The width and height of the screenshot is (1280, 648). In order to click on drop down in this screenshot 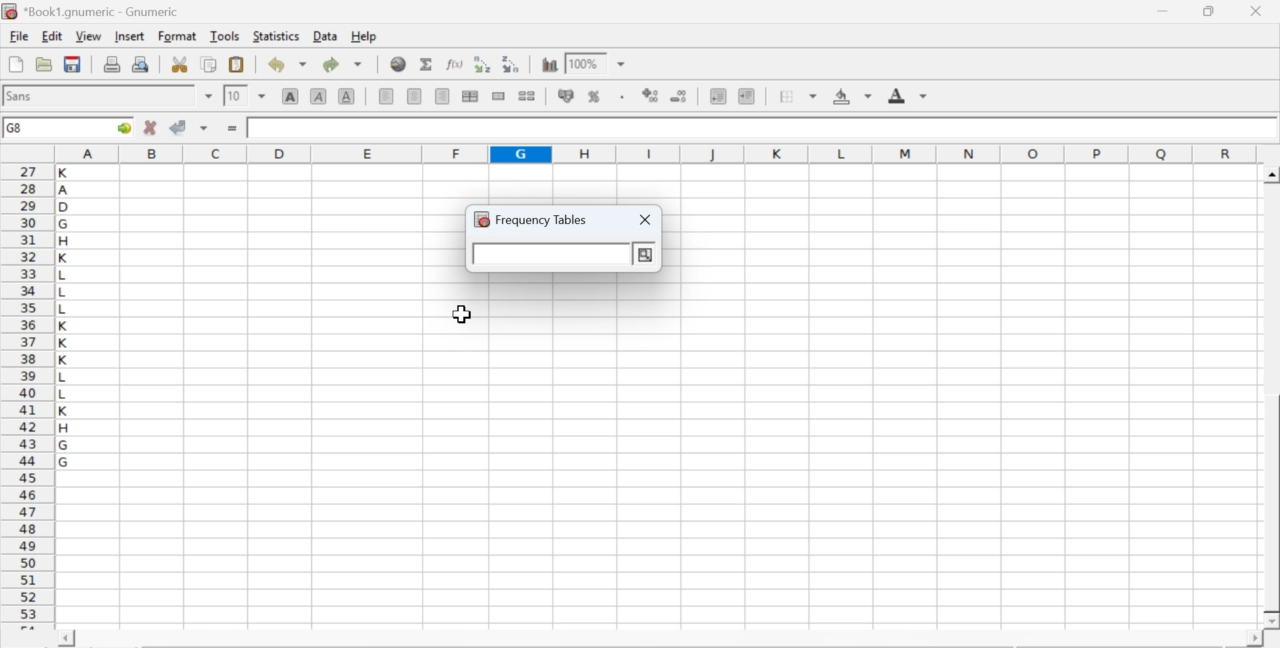, I will do `click(210, 96)`.